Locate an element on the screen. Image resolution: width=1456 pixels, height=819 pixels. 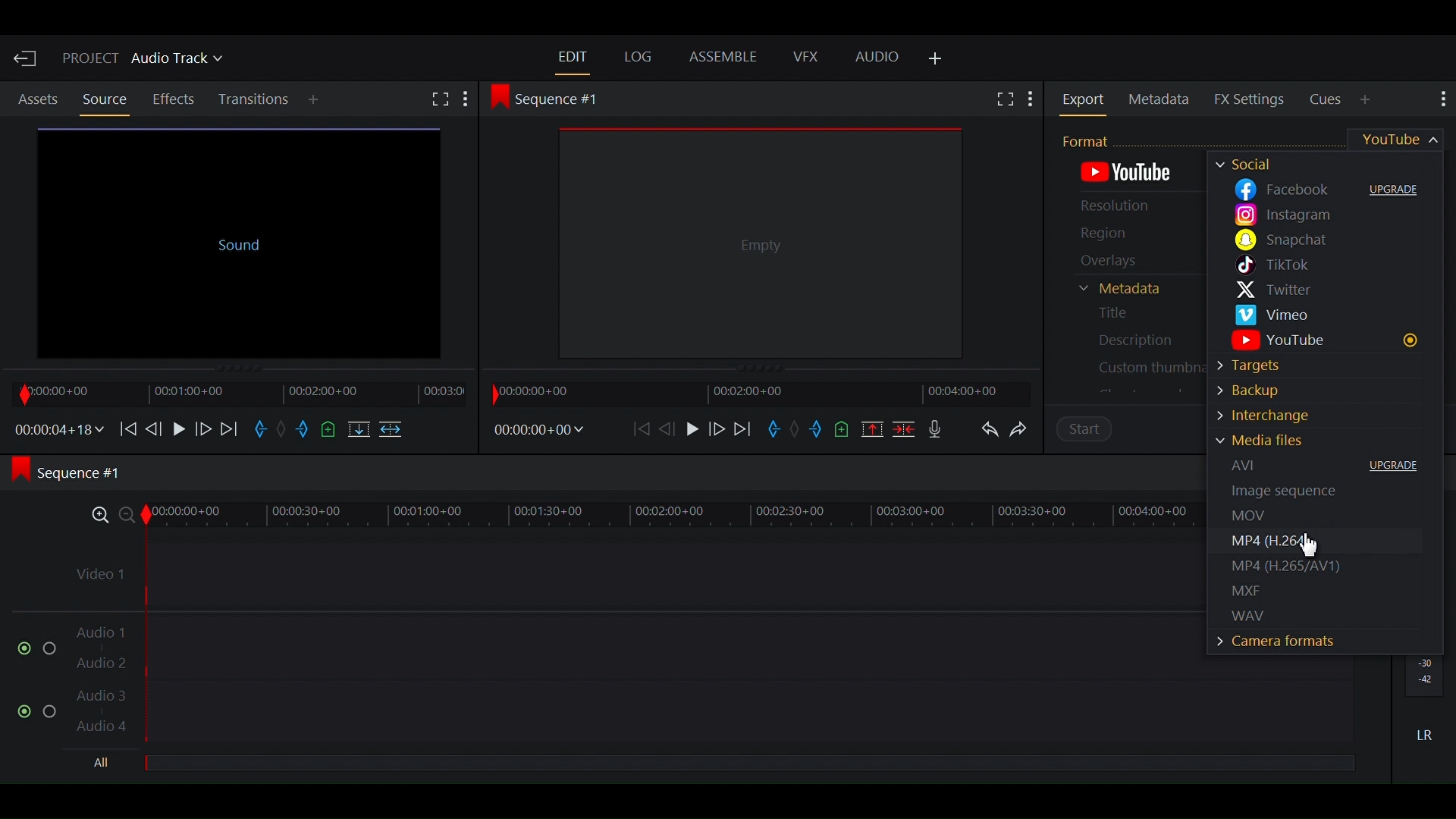
Upgrade is located at coordinates (1395, 469).